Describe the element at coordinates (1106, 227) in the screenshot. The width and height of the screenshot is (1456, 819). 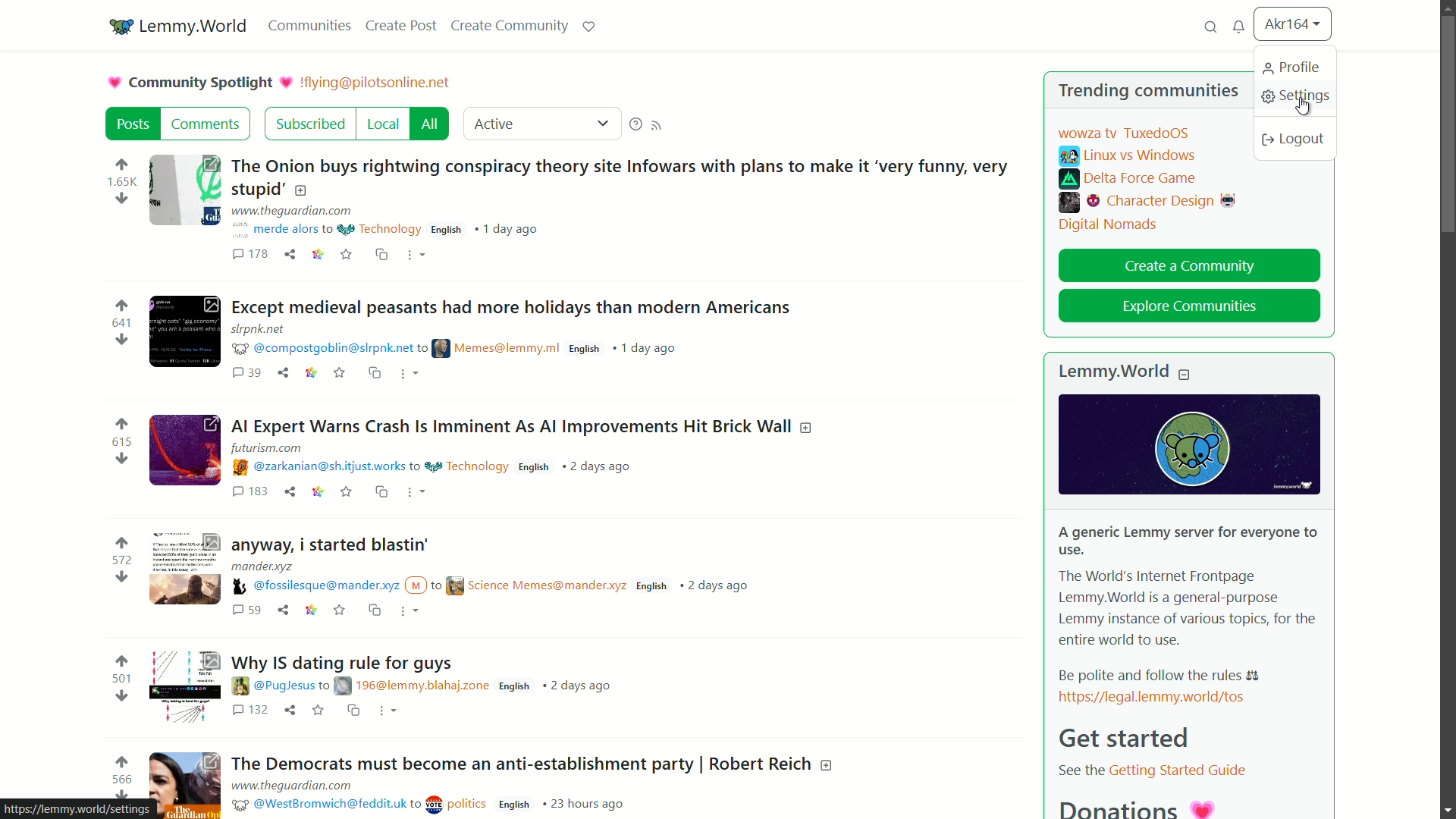
I see `digital nomads` at that location.